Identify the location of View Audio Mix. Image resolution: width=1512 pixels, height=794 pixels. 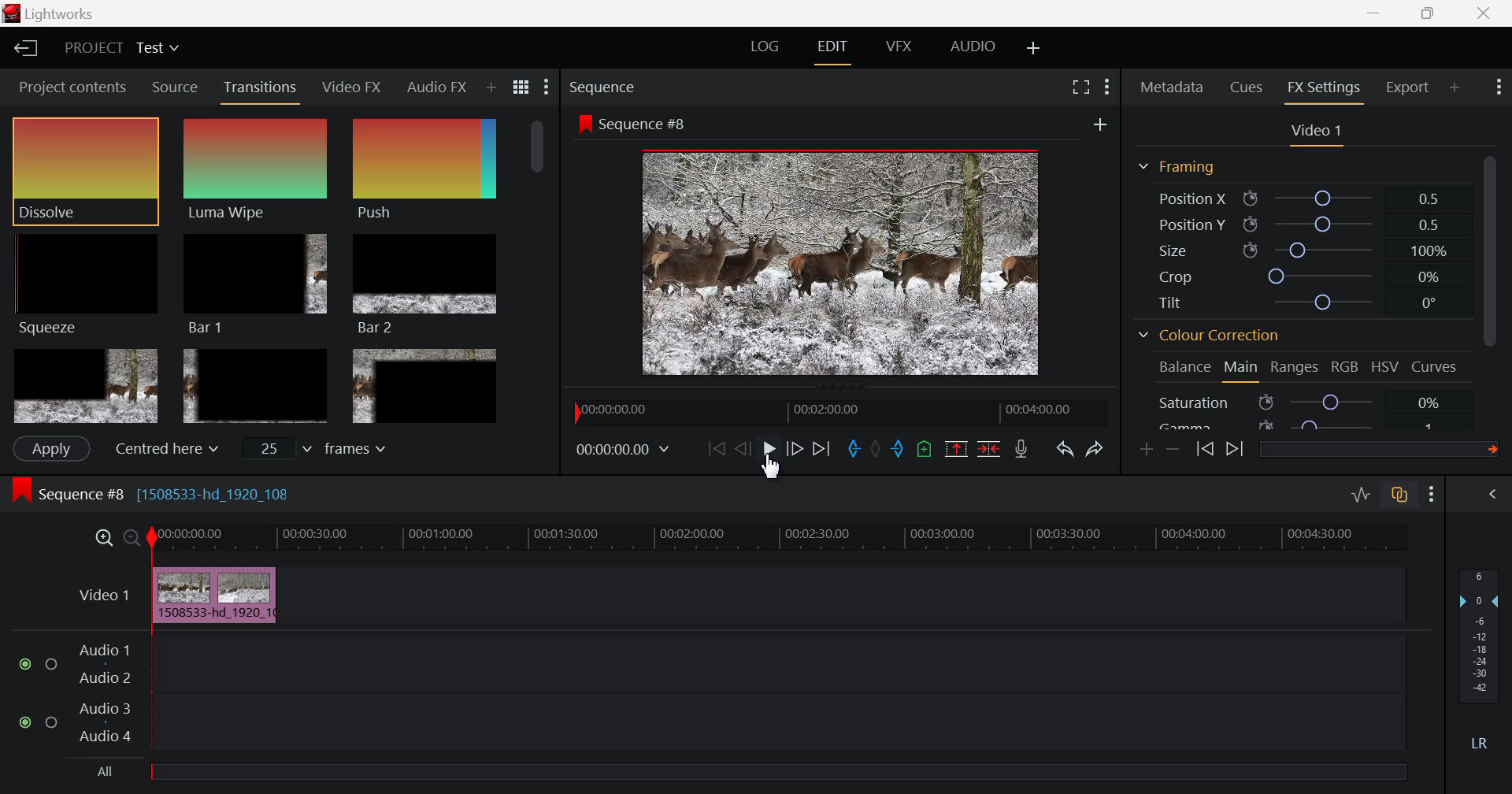
(1495, 495).